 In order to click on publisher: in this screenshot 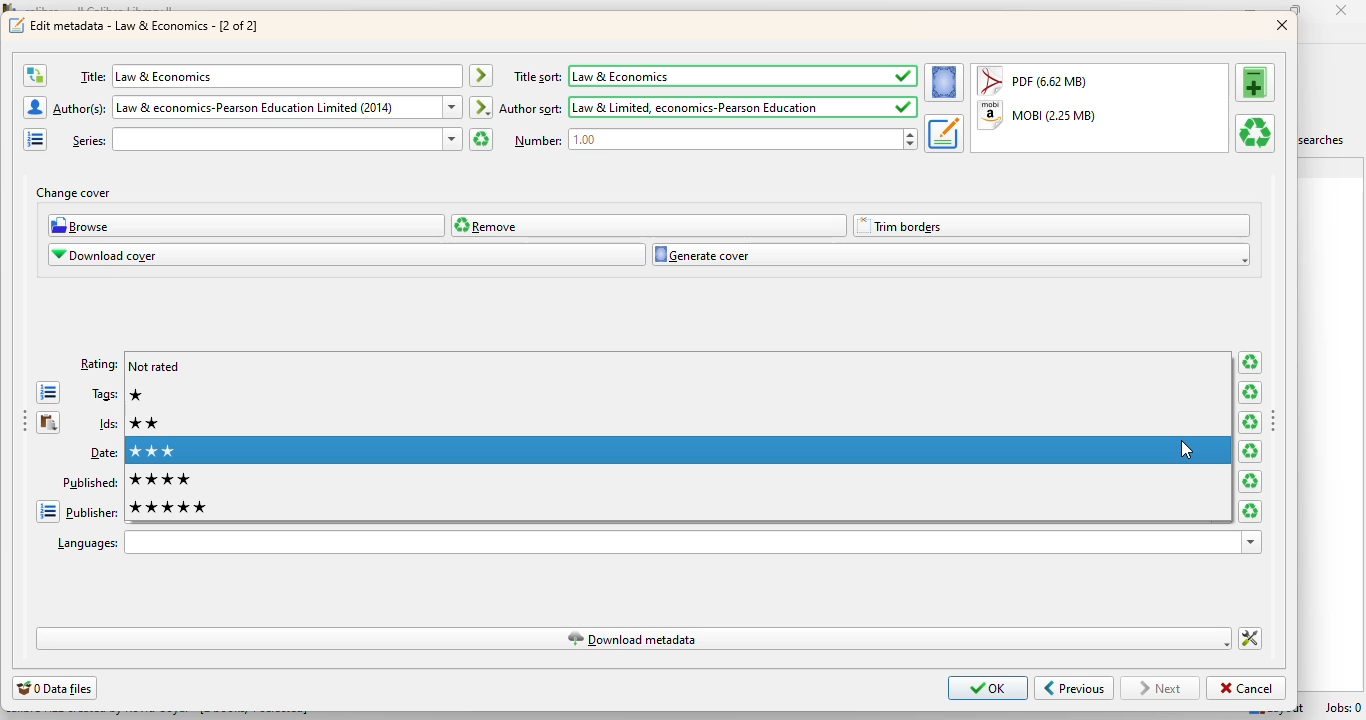, I will do `click(91, 513)`.